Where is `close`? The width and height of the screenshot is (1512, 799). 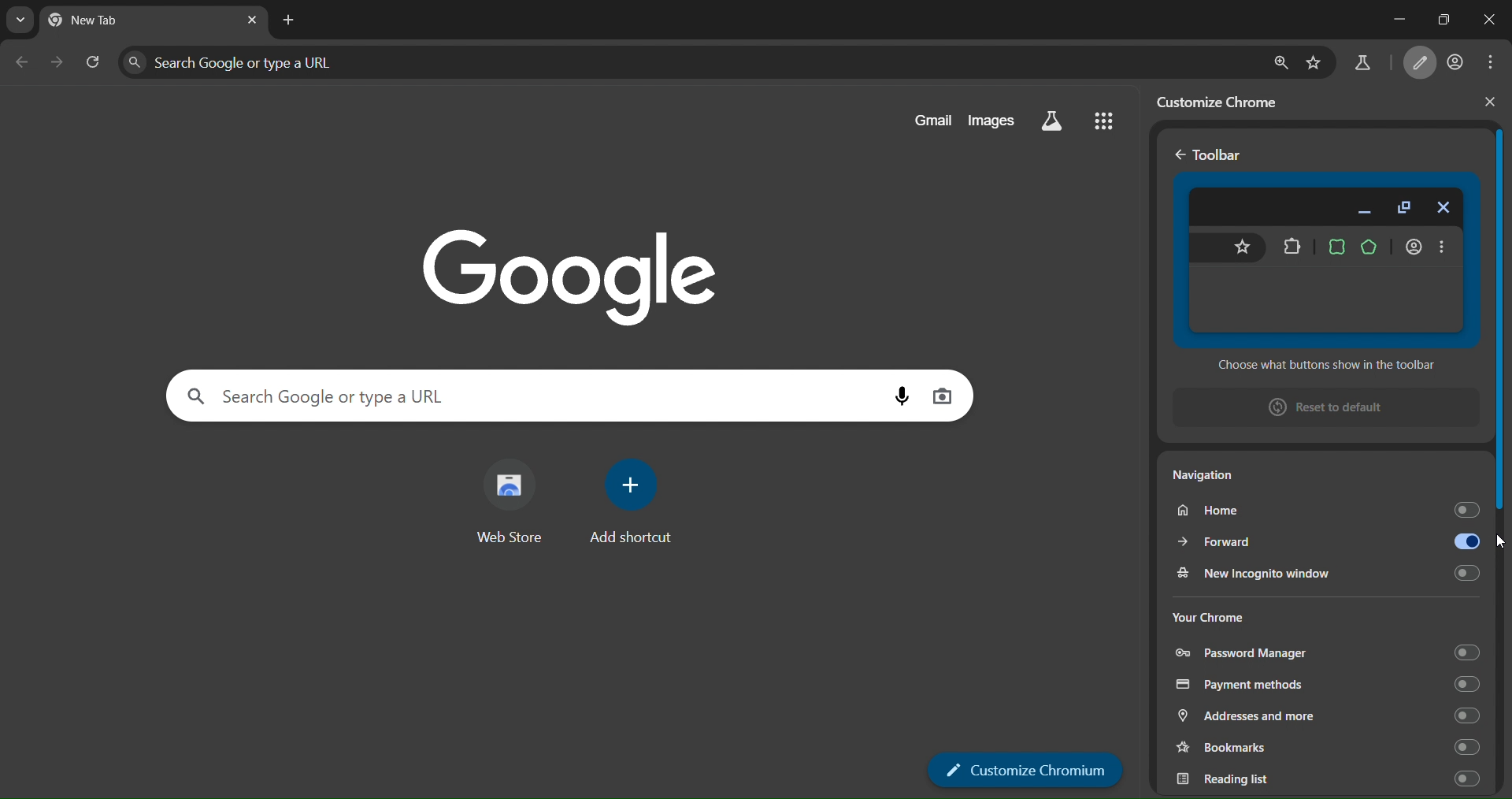 close is located at coordinates (1487, 23).